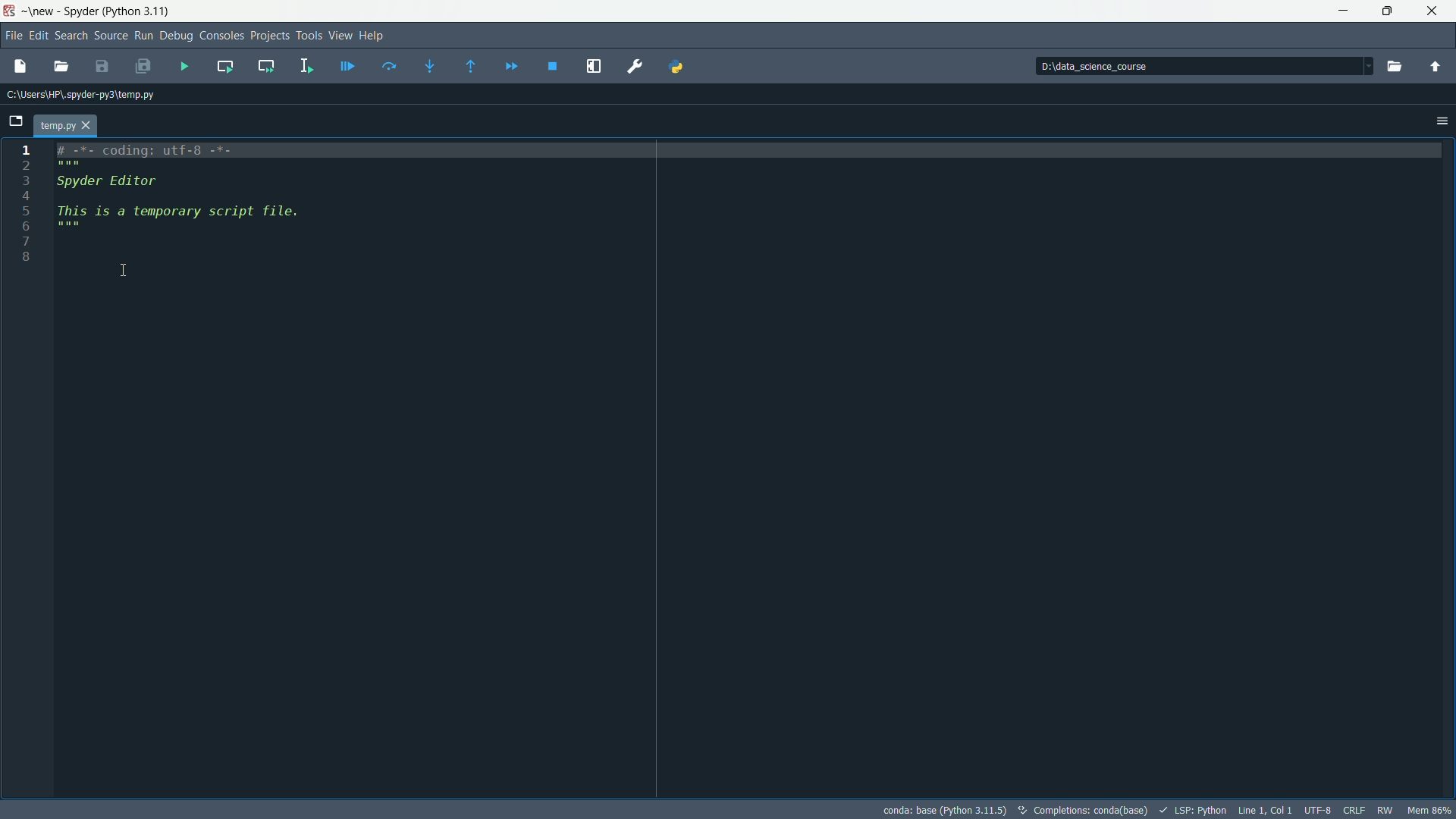 This screenshot has height=819, width=1456. What do you see at coordinates (111, 36) in the screenshot?
I see `source menu` at bounding box center [111, 36].